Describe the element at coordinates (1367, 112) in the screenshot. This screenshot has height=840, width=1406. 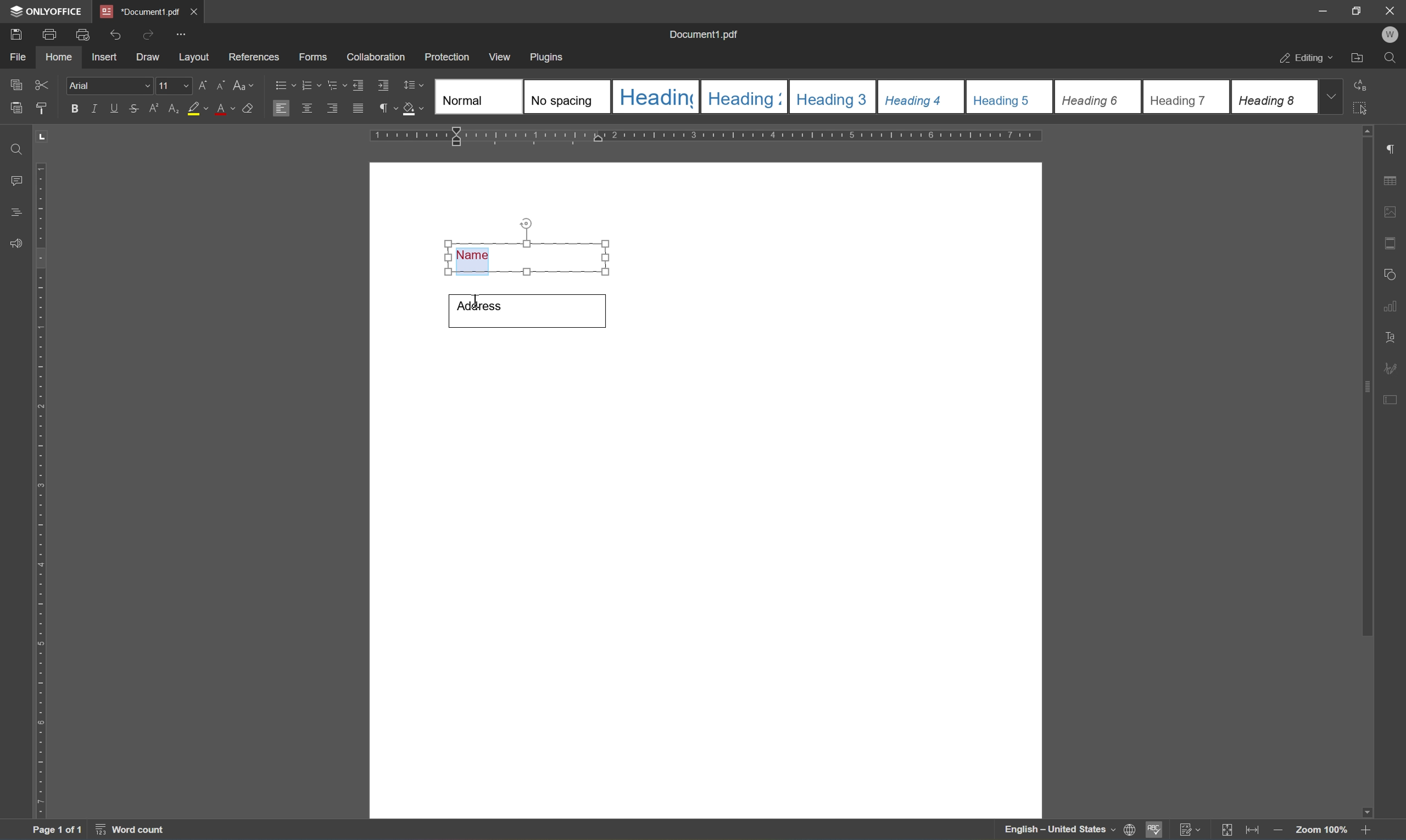
I see `select all` at that location.